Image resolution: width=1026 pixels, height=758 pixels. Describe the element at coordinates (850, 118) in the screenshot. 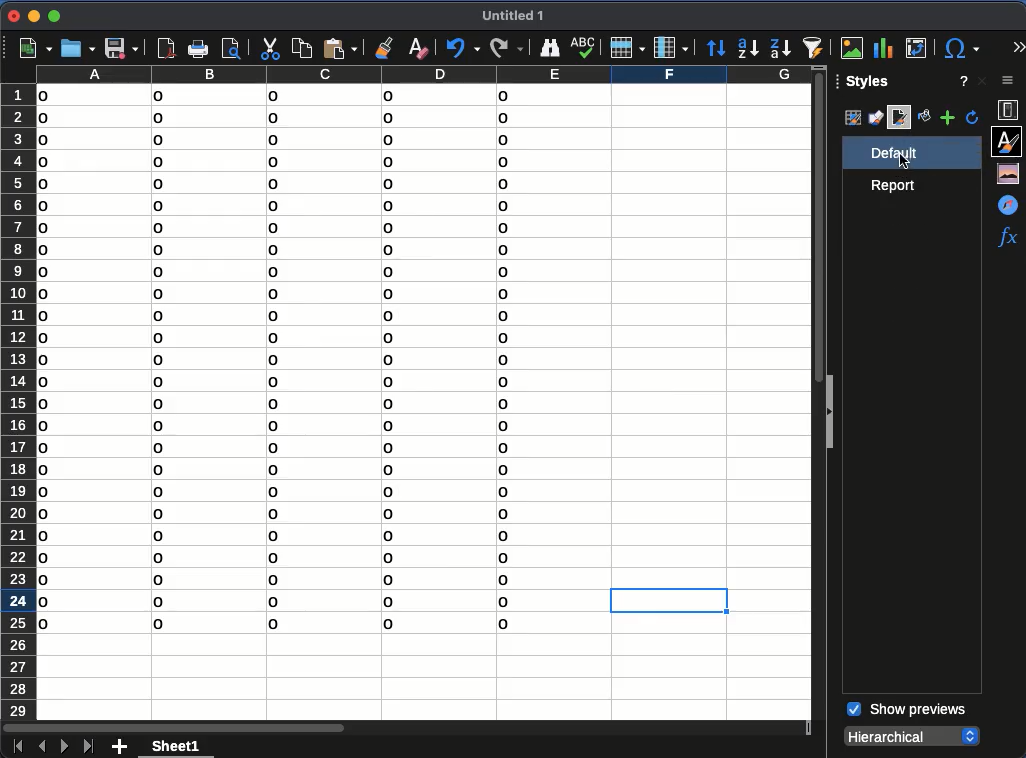

I see `cell styles` at that location.